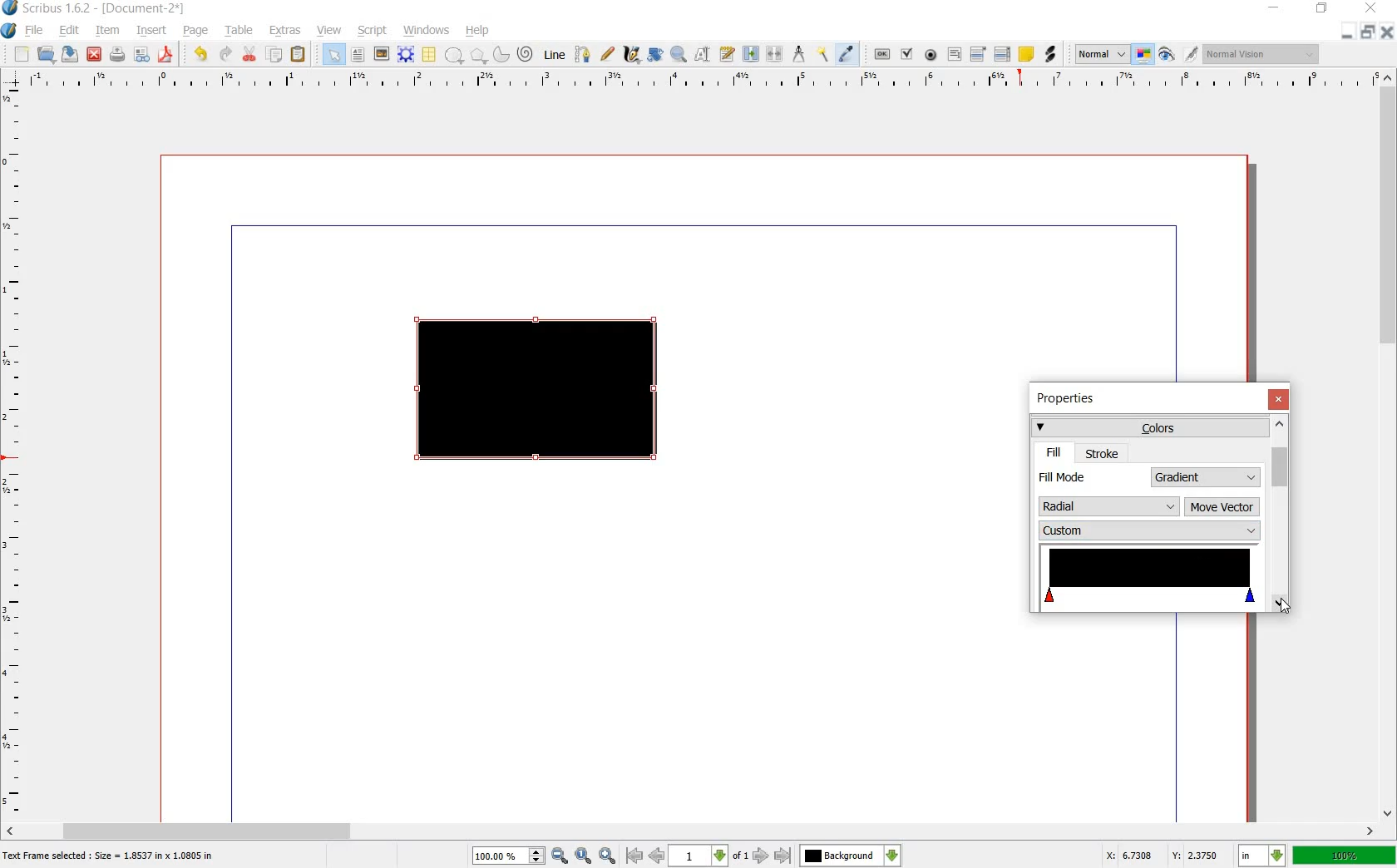  Describe the element at coordinates (275, 55) in the screenshot. I see `copy` at that location.